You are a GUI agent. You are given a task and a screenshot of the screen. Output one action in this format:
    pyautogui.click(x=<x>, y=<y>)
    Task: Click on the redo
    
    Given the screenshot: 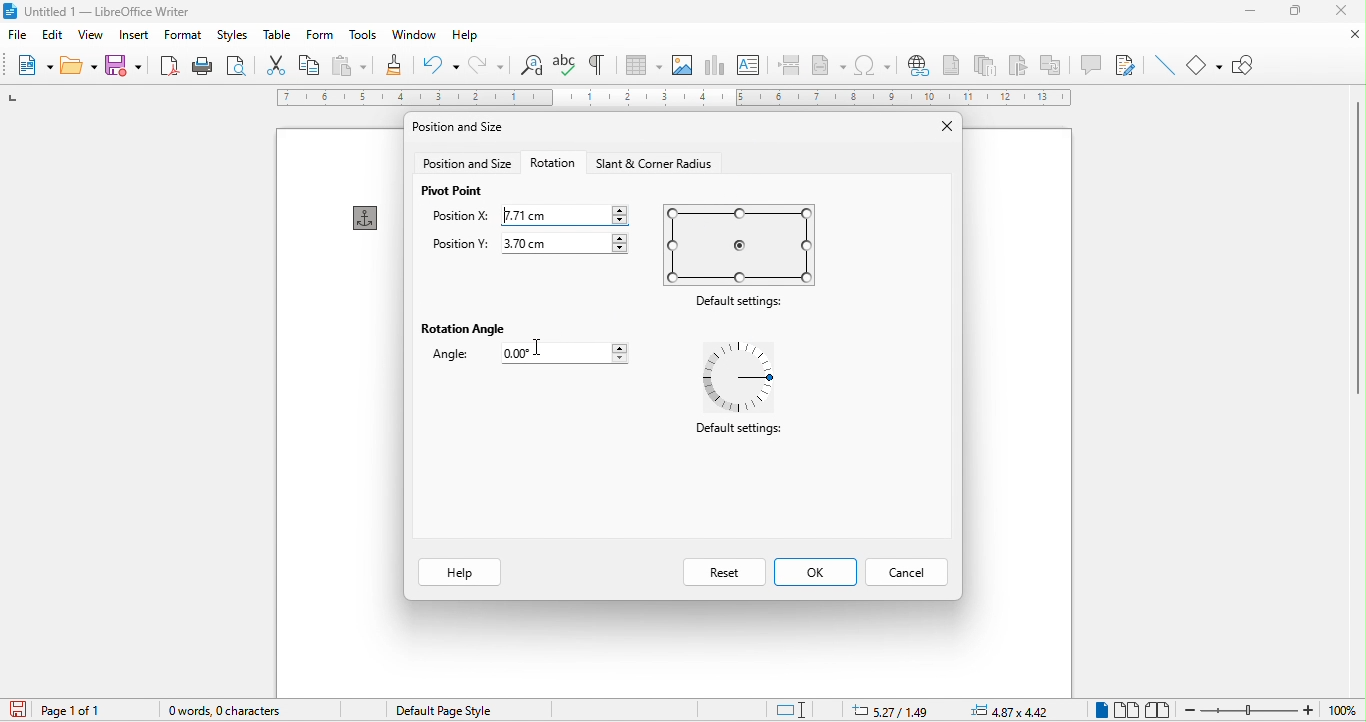 What is the action you would take?
    pyautogui.click(x=490, y=67)
    